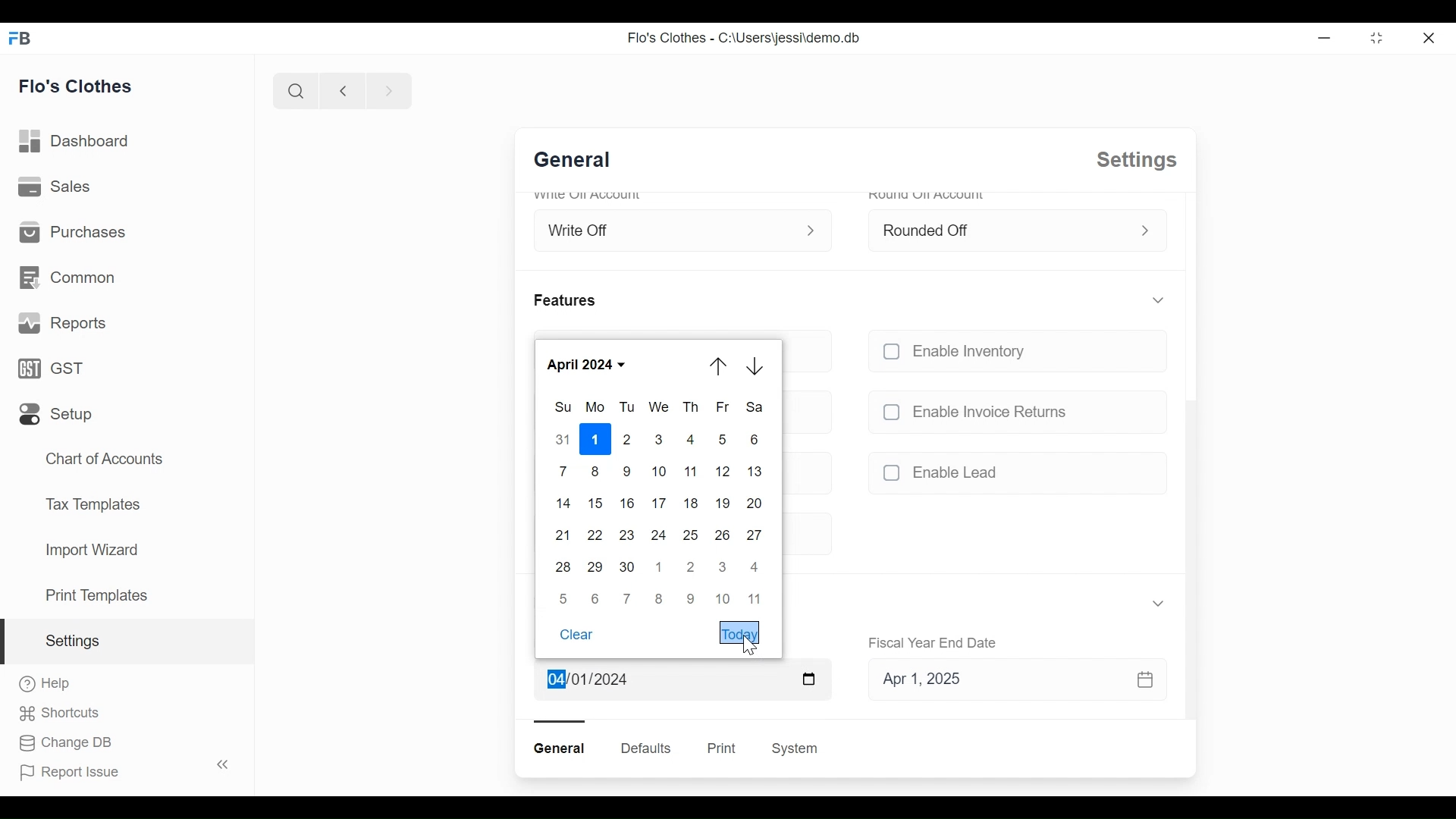  I want to click on 12, so click(722, 472).